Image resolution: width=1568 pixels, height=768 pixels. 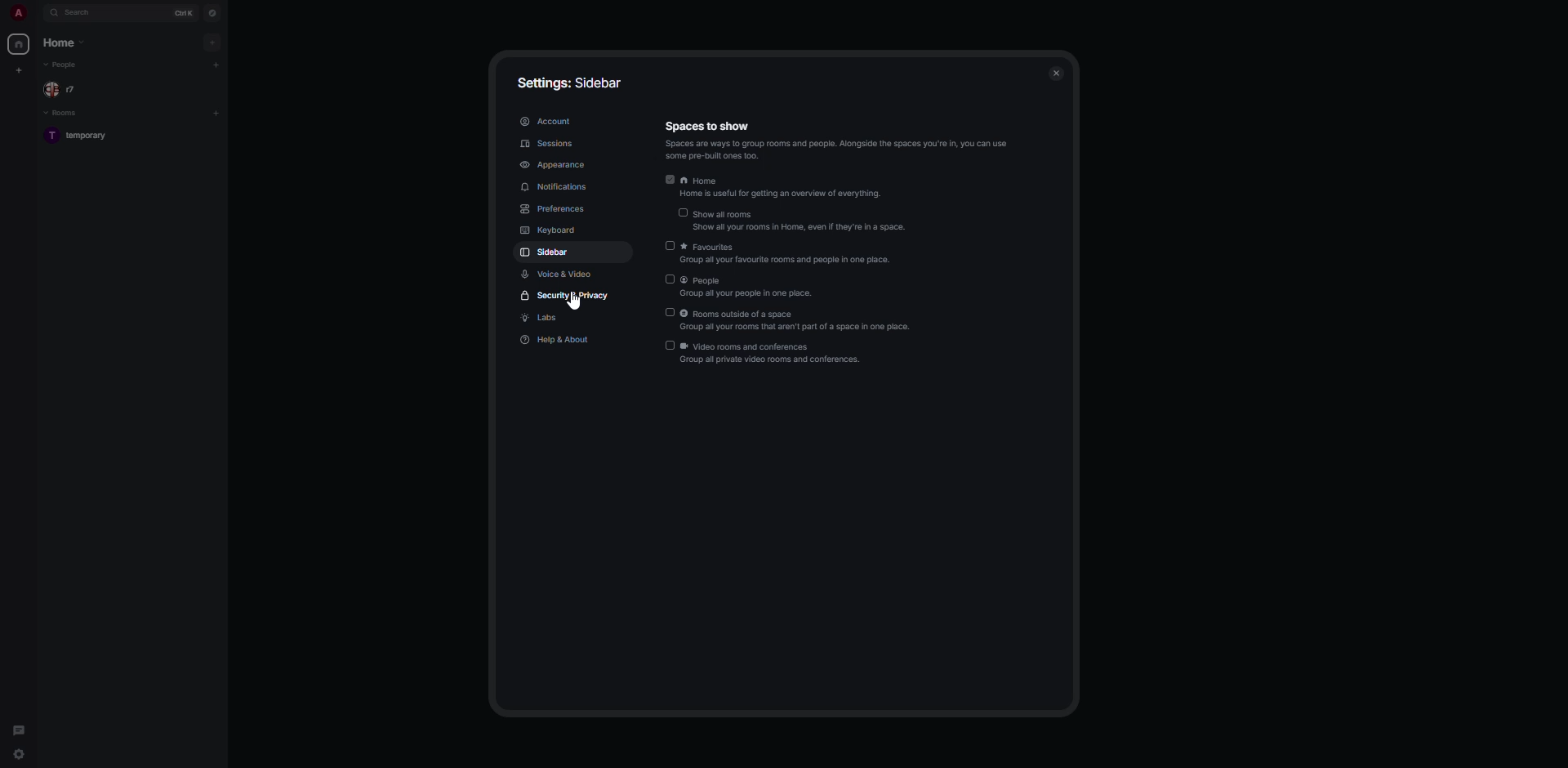 What do you see at coordinates (212, 41) in the screenshot?
I see `add` at bounding box center [212, 41].